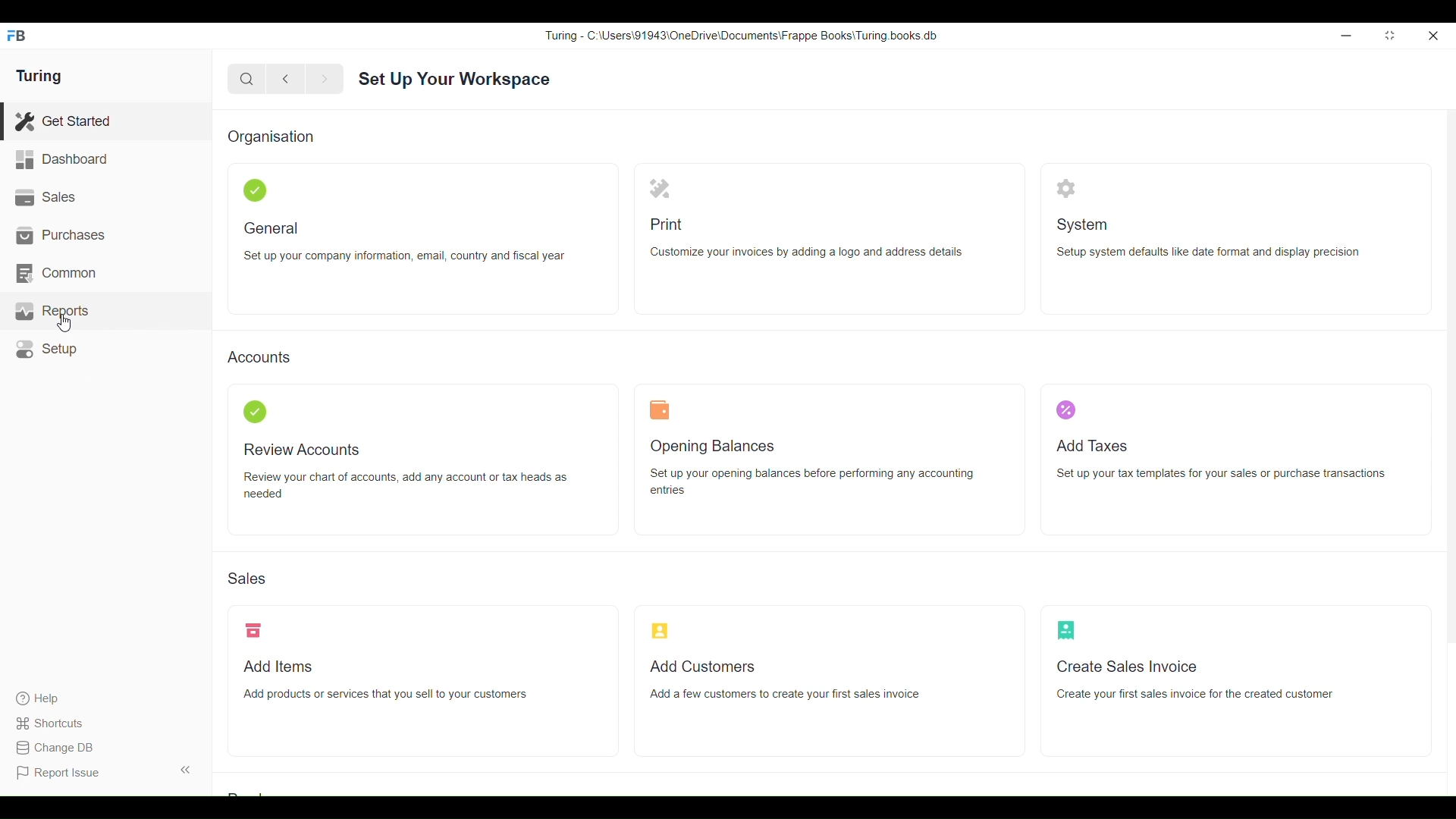  What do you see at coordinates (806, 240) in the screenshot?
I see `Print Customize your invoices by adding a logo and address details` at bounding box center [806, 240].